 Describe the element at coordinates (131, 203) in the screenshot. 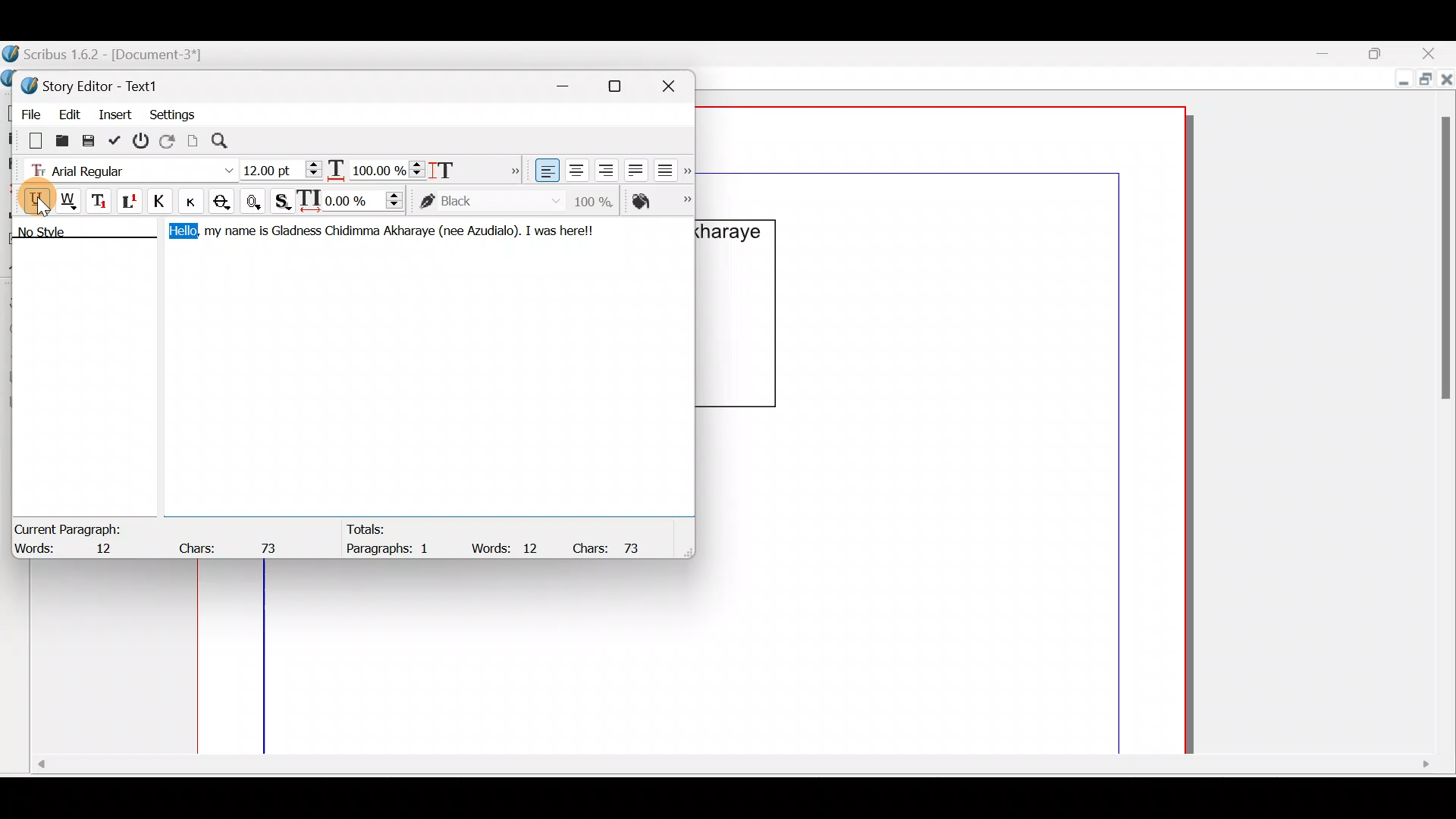

I see `Superscript` at that location.